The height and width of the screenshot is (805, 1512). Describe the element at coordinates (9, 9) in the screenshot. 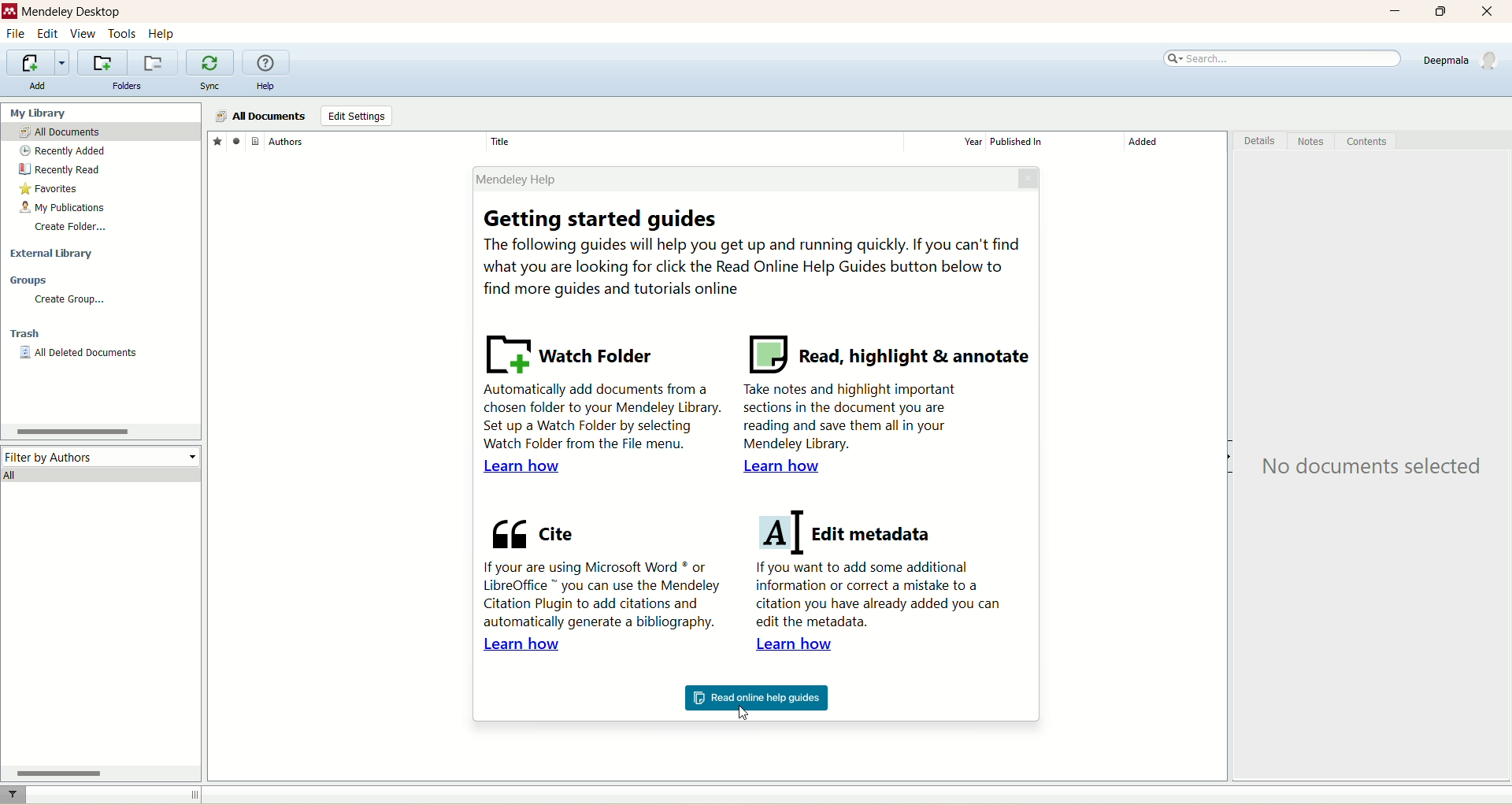

I see `logo` at that location.